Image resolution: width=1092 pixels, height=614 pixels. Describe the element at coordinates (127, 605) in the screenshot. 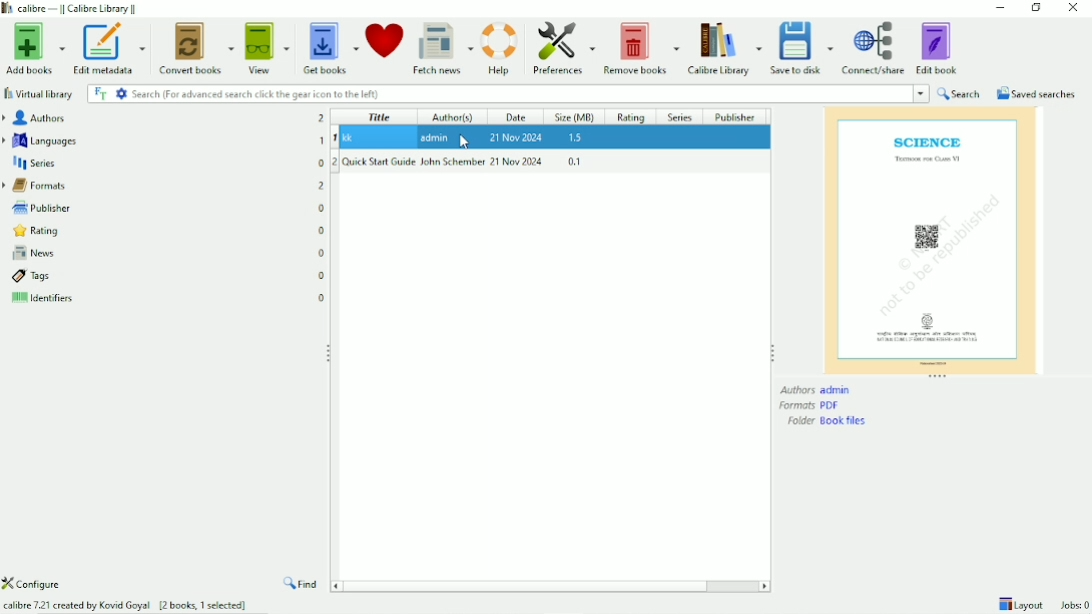

I see `Calibre 7.21 created by Kovid Goyal [2 books, 1 selected]` at that location.